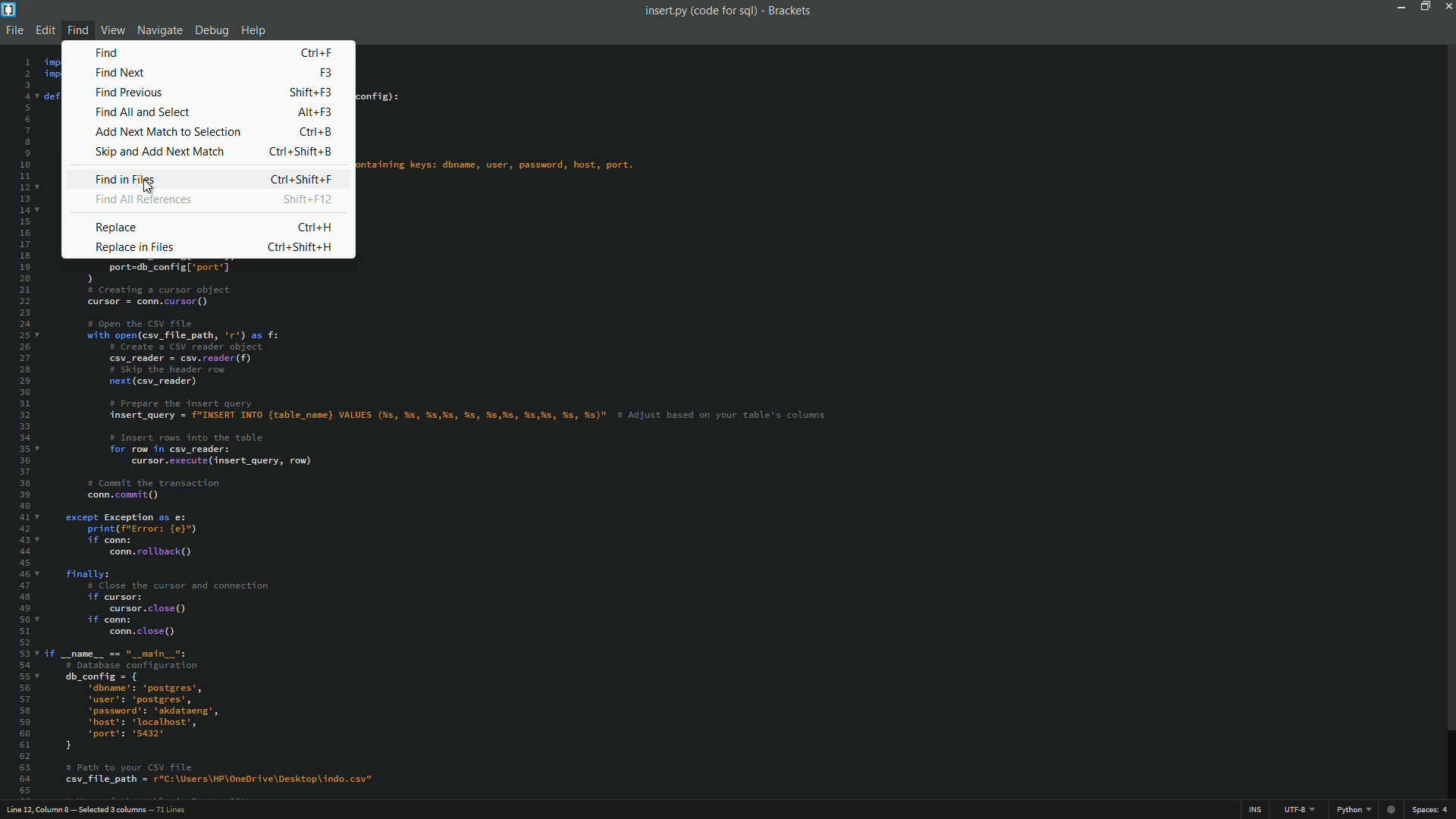  I want to click on keyboard shortcut, so click(300, 249).